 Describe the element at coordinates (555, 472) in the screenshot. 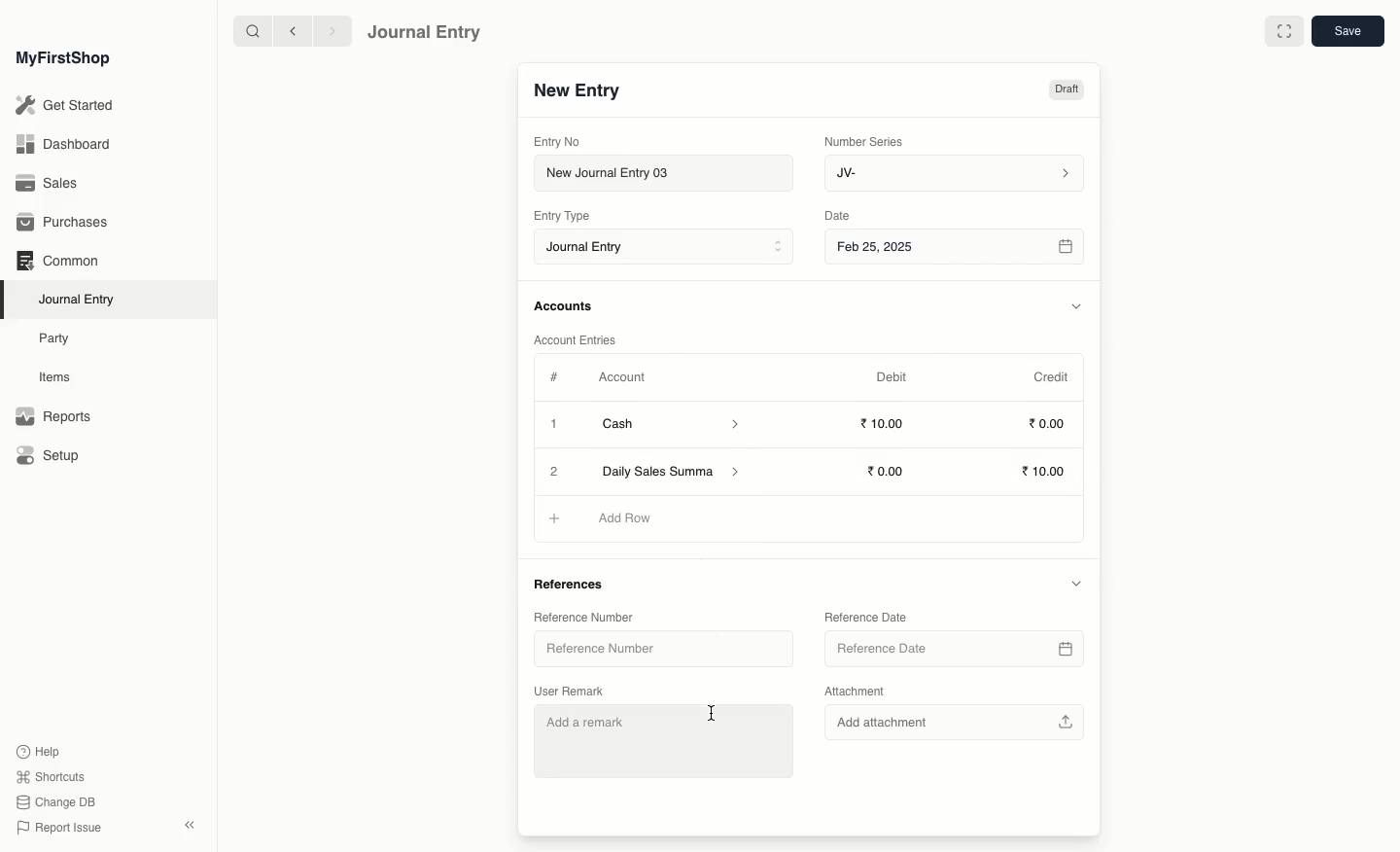

I see `Close` at that location.